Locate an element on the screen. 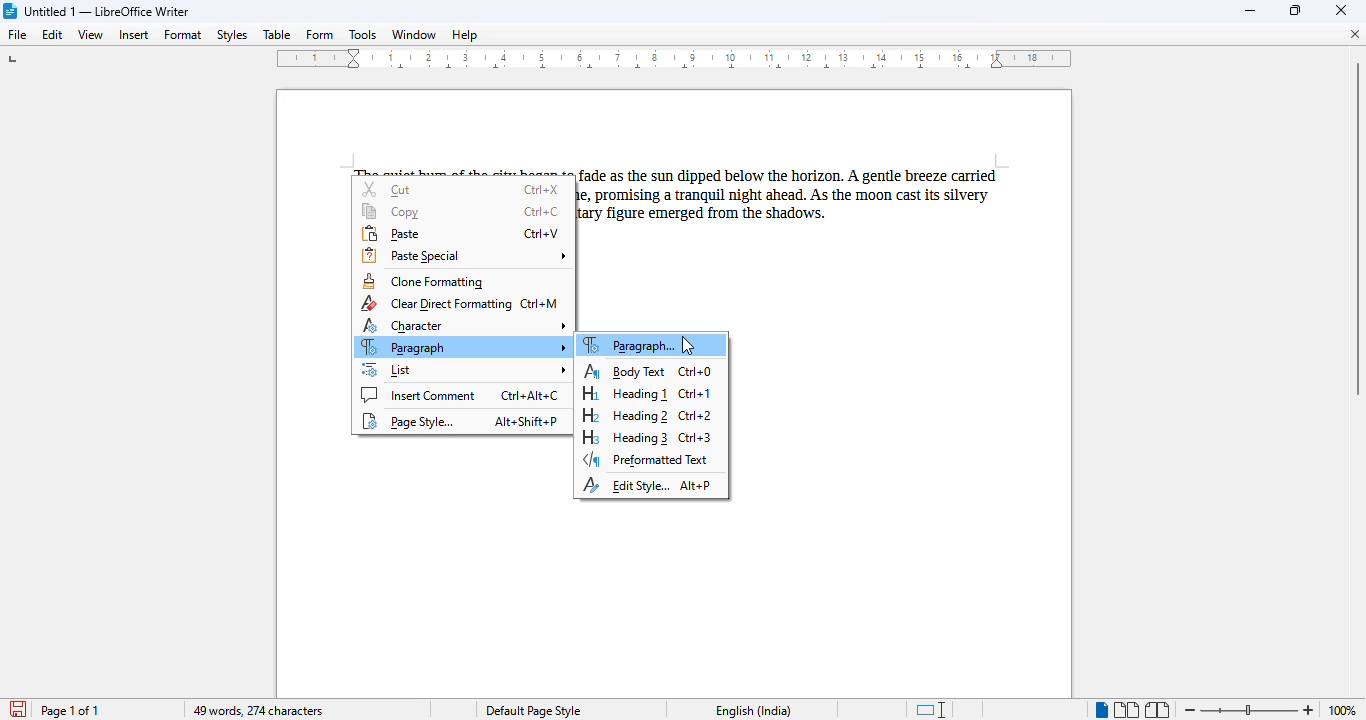 The image size is (1366, 720). ruler is located at coordinates (675, 60).